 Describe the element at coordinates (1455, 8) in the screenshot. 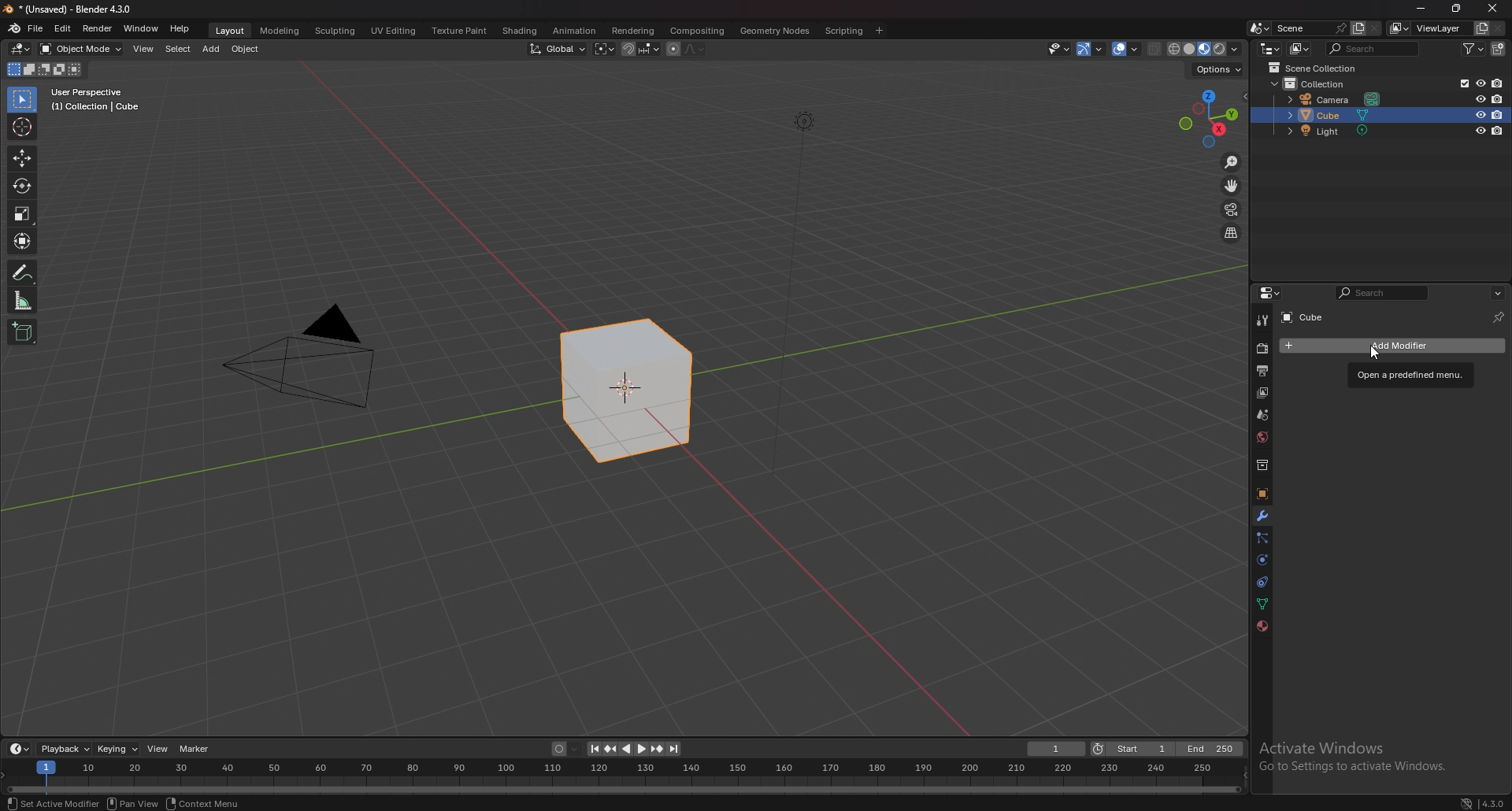

I see `resize` at that location.